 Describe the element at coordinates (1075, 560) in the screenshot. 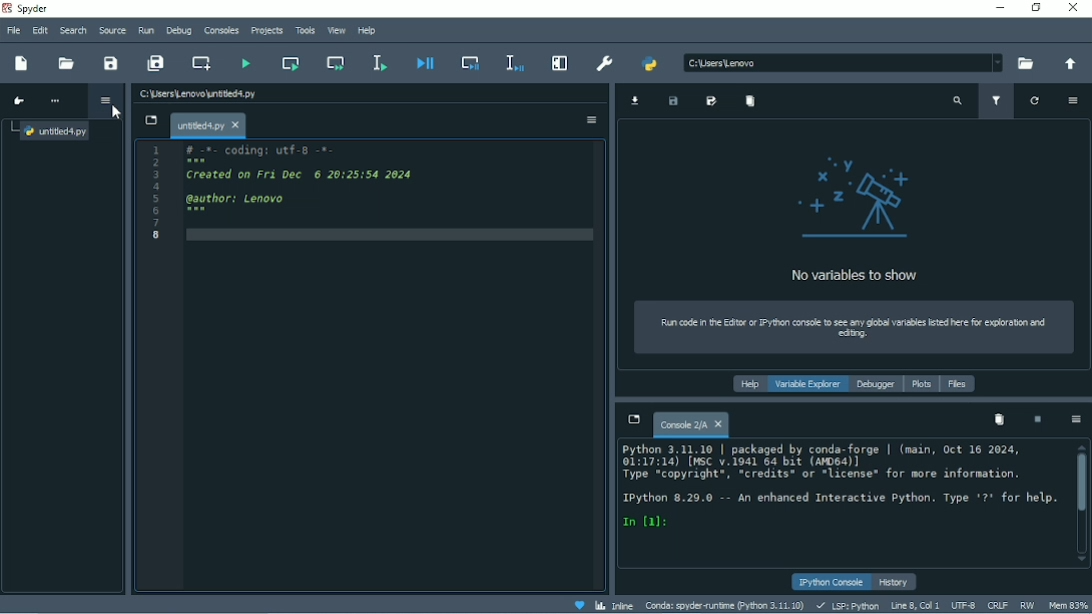

I see `scroll down` at that location.